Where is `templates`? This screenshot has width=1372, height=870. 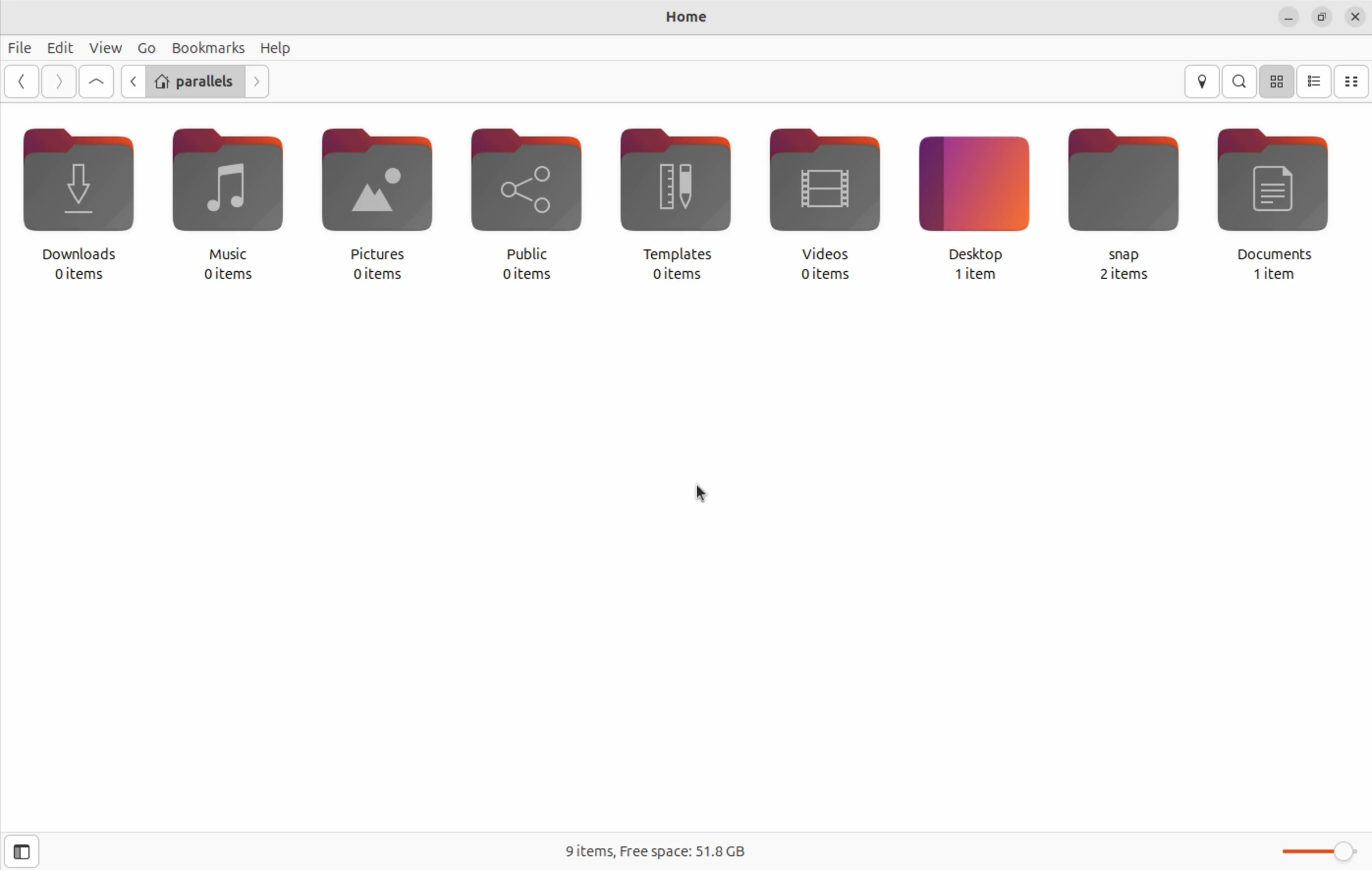
templates is located at coordinates (674, 187).